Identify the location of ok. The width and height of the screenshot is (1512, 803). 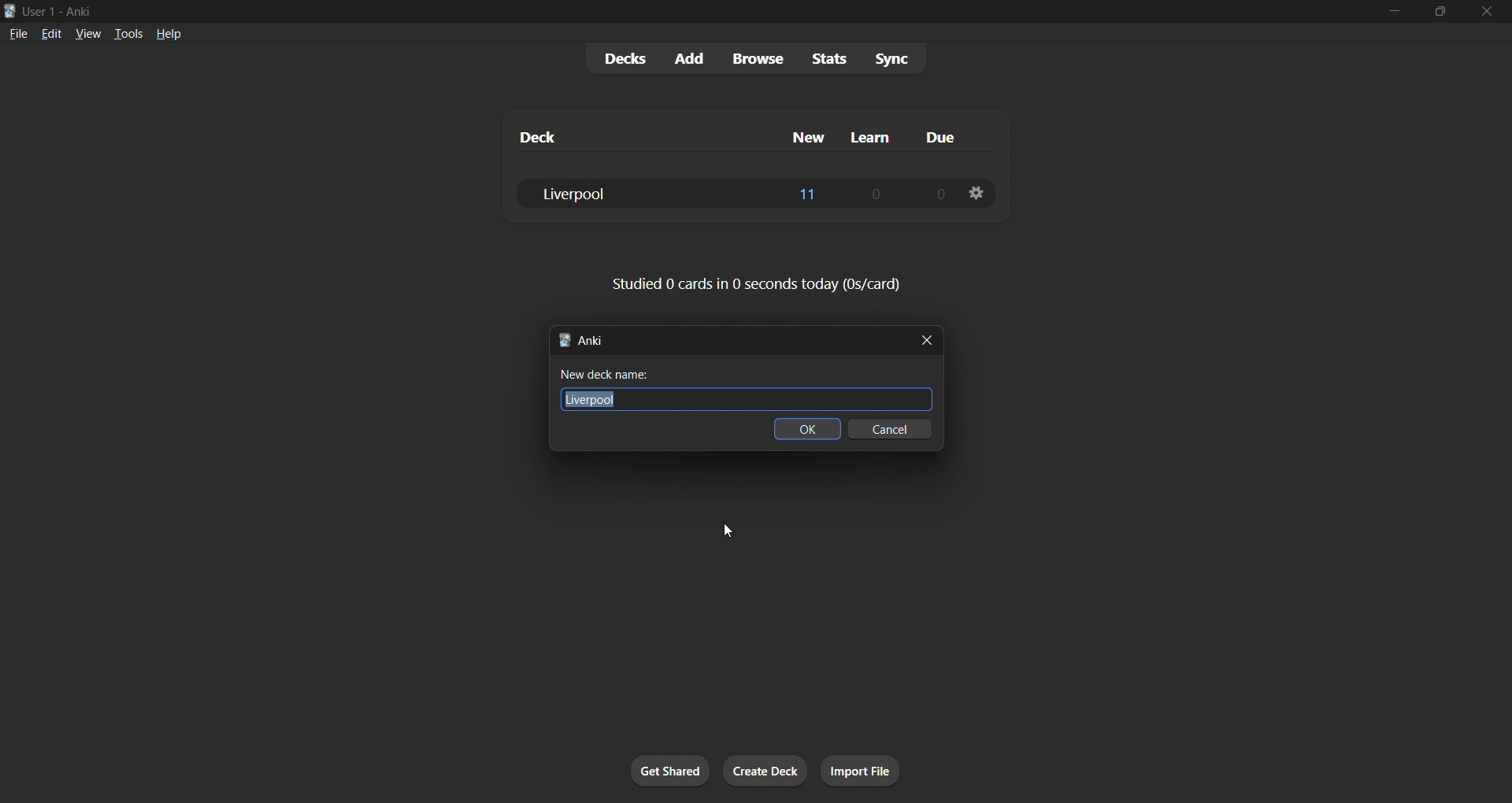
(808, 428).